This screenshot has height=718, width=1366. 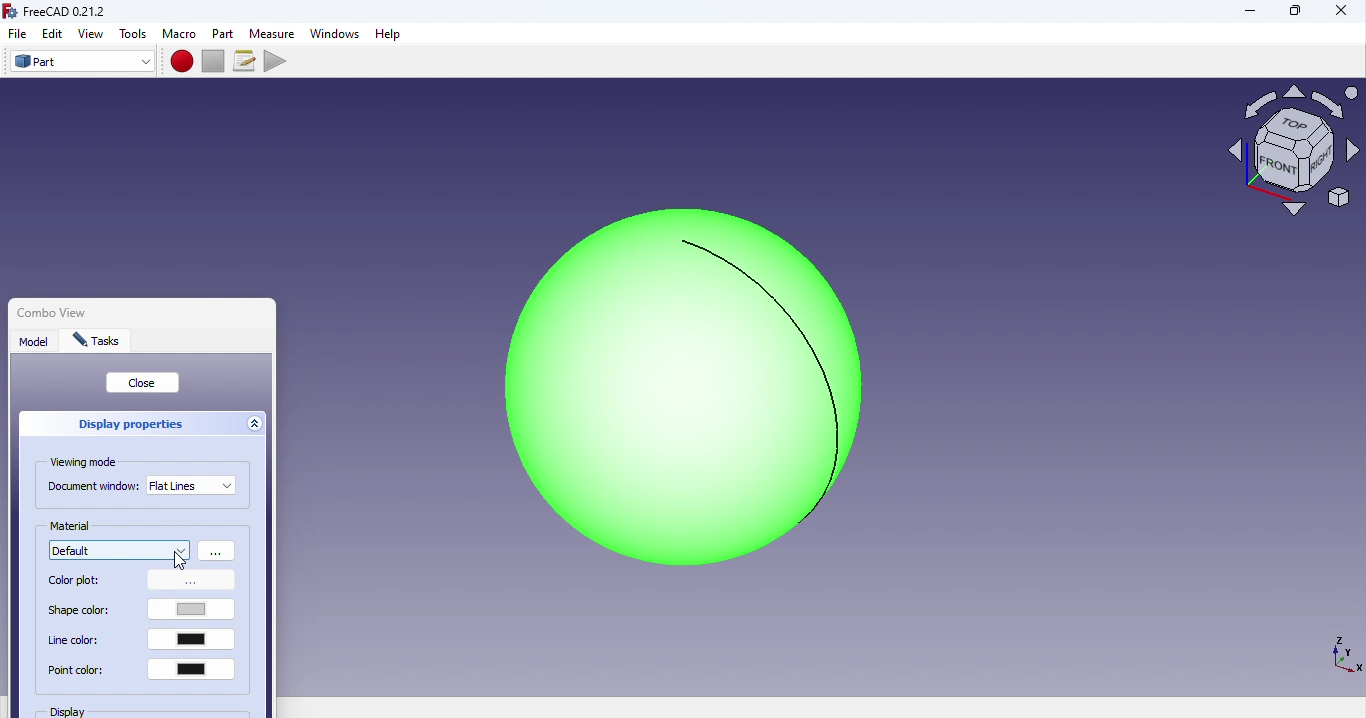 What do you see at coordinates (192, 485) in the screenshot?
I see `Drop down menu` at bounding box center [192, 485].